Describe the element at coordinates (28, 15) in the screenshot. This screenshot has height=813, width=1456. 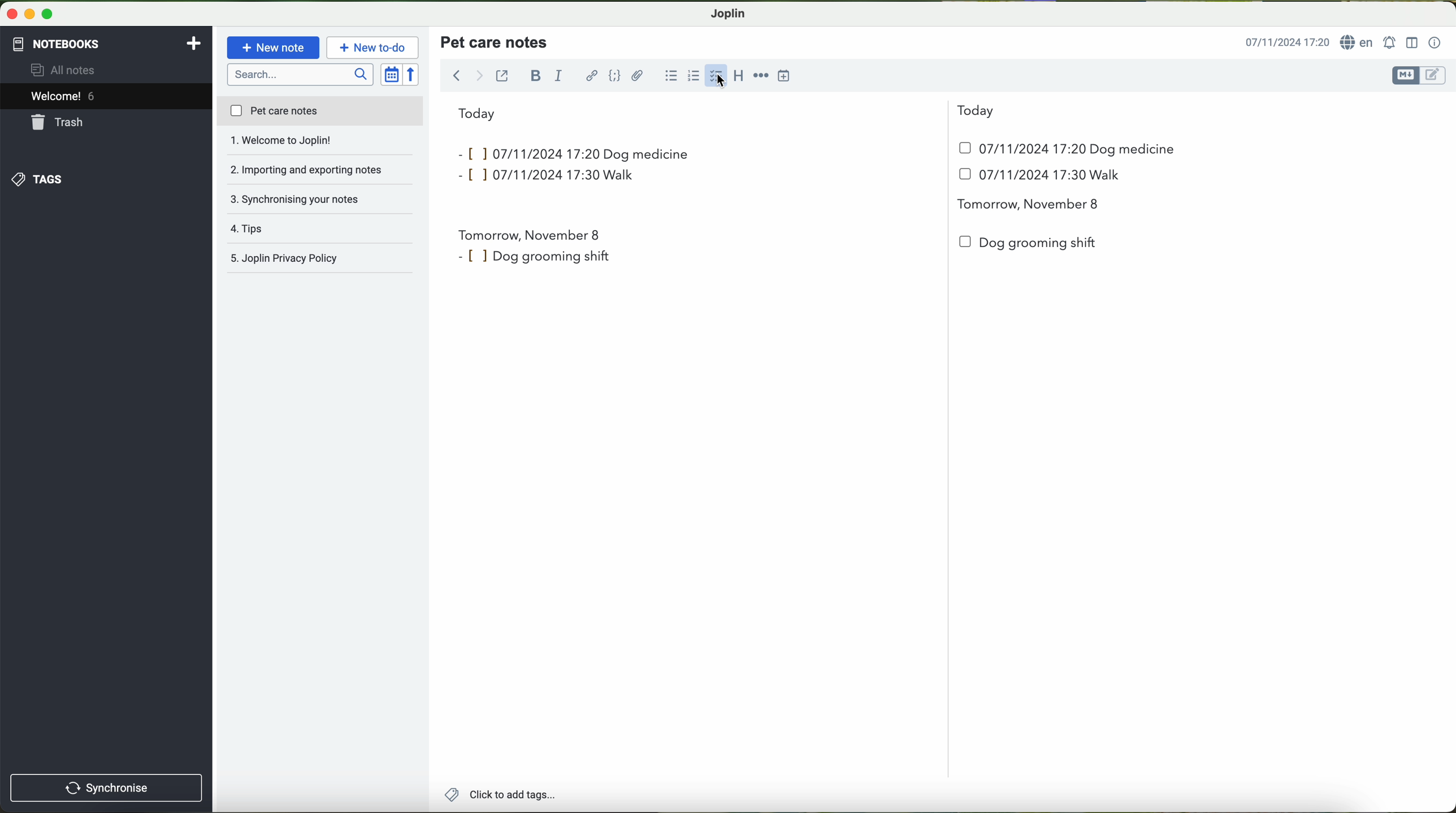
I see `screen buttons` at that location.